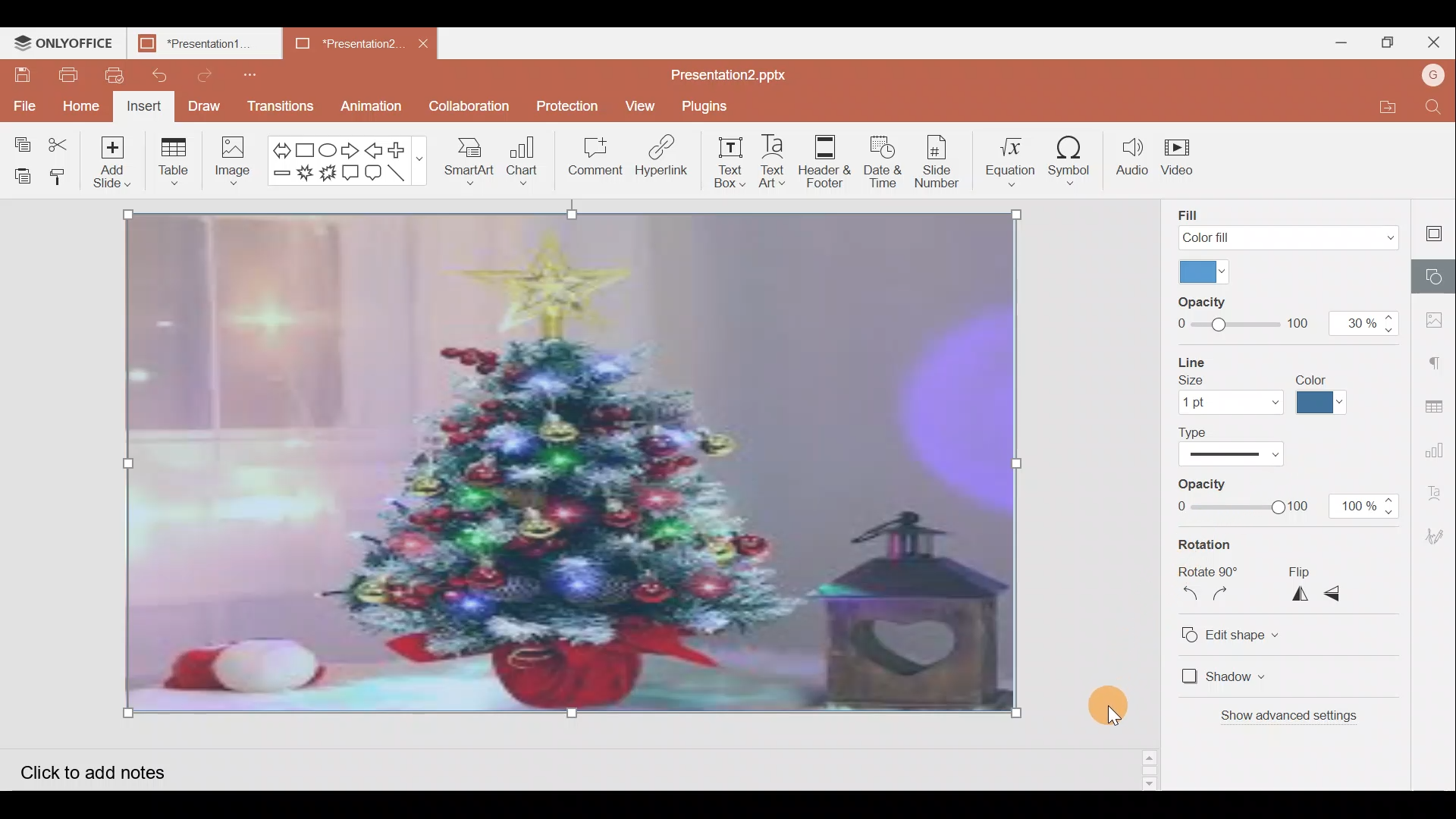 The image size is (1456, 819). Describe the element at coordinates (773, 162) in the screenshot. I see `Text Art` at that location.